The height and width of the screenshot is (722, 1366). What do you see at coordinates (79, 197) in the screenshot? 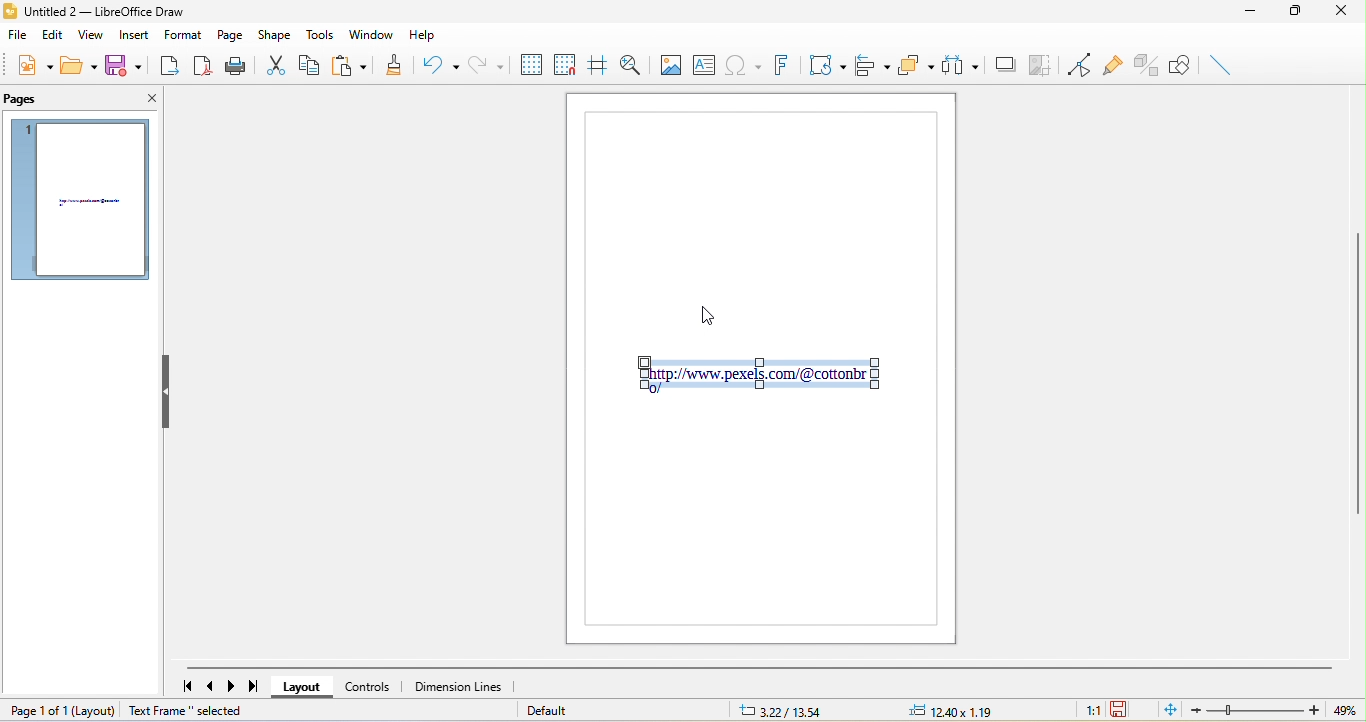
I see `page 1` at bounding box center [79, 197].